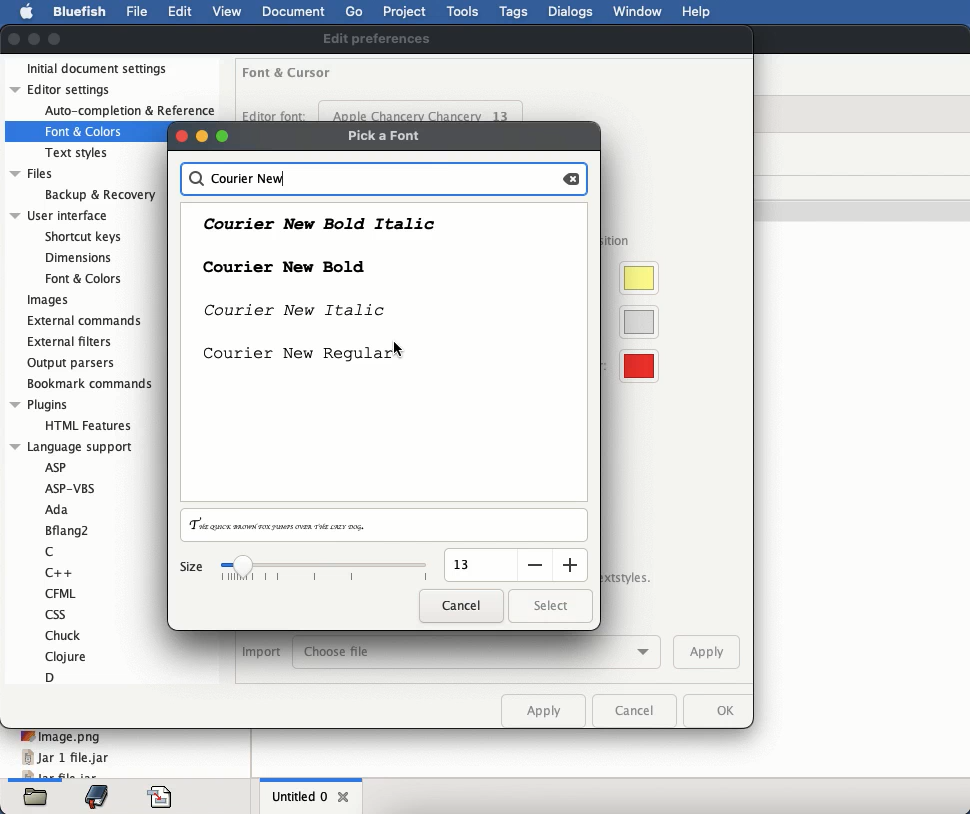 This screenshot has height=814, width=970. I want to click on tags, so click(514, 12).